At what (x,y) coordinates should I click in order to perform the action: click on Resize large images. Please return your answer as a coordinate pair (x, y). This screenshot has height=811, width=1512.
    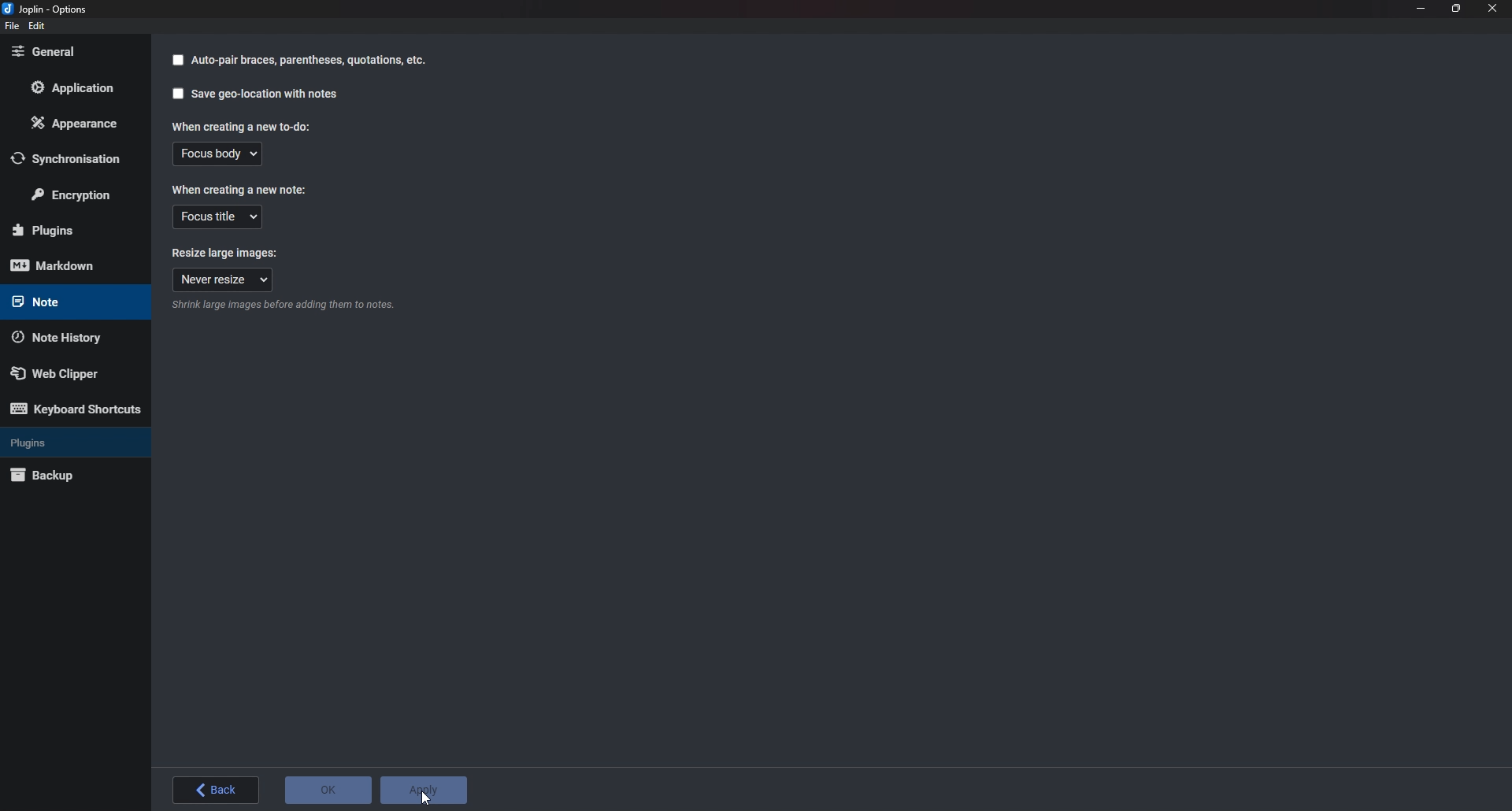
    Looking at the image, I should click on (227, 254).